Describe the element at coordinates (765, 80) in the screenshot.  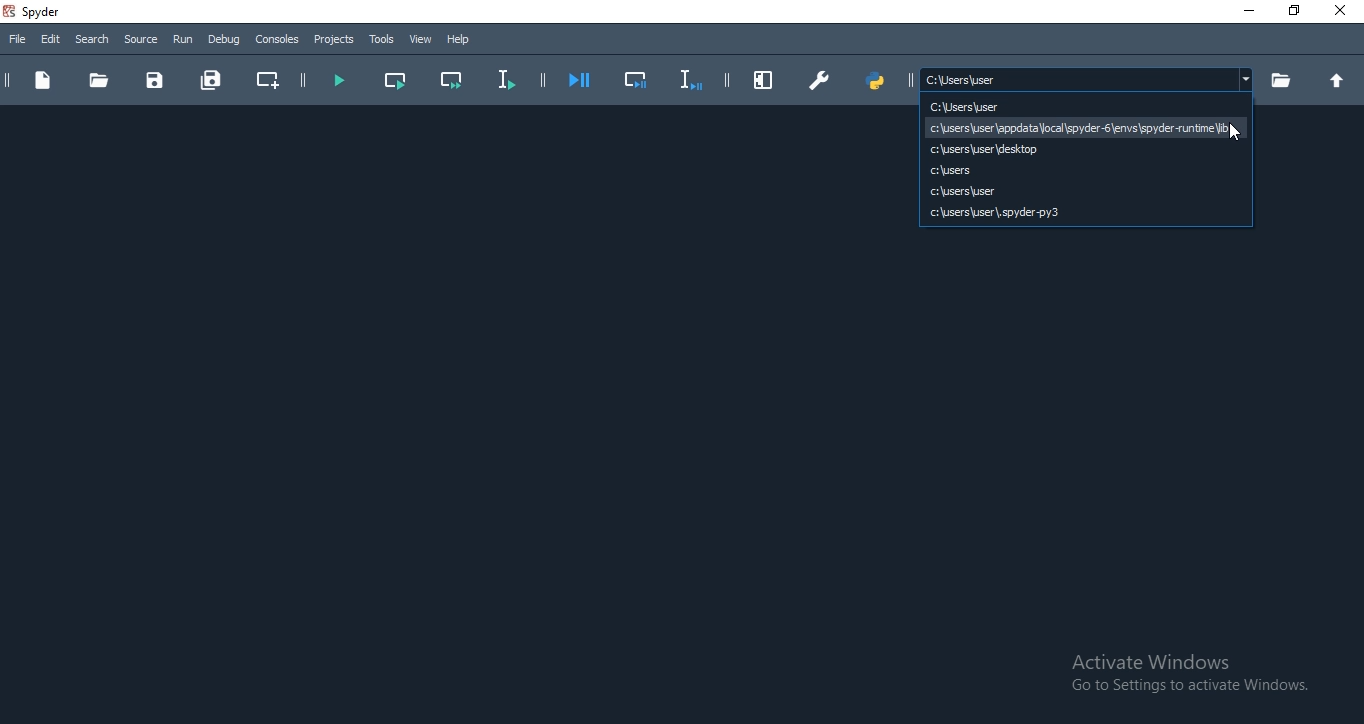
I see `maximise pane` at that location.